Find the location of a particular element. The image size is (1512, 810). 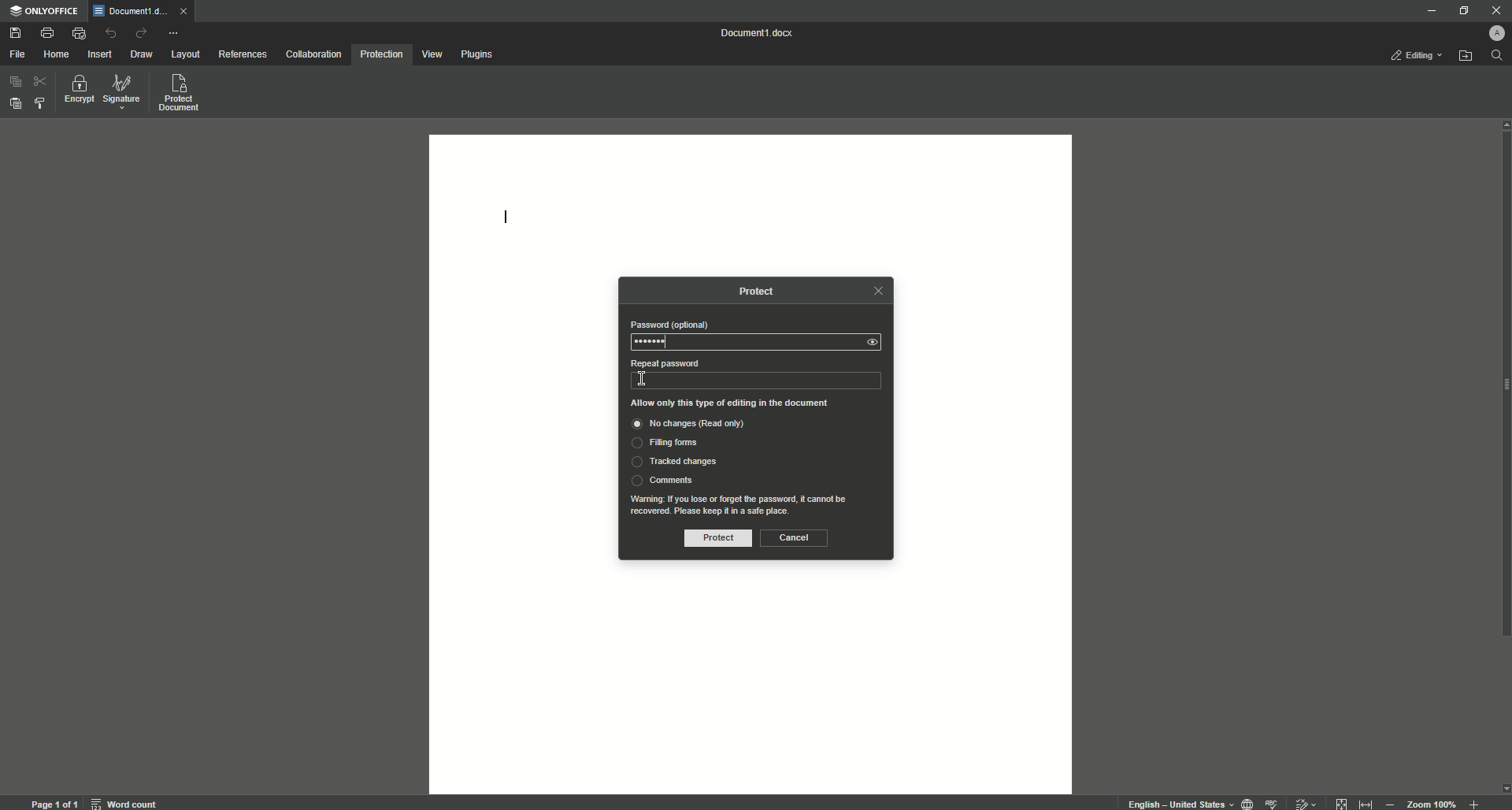

scroll down is located at coordinates (1503, 788).